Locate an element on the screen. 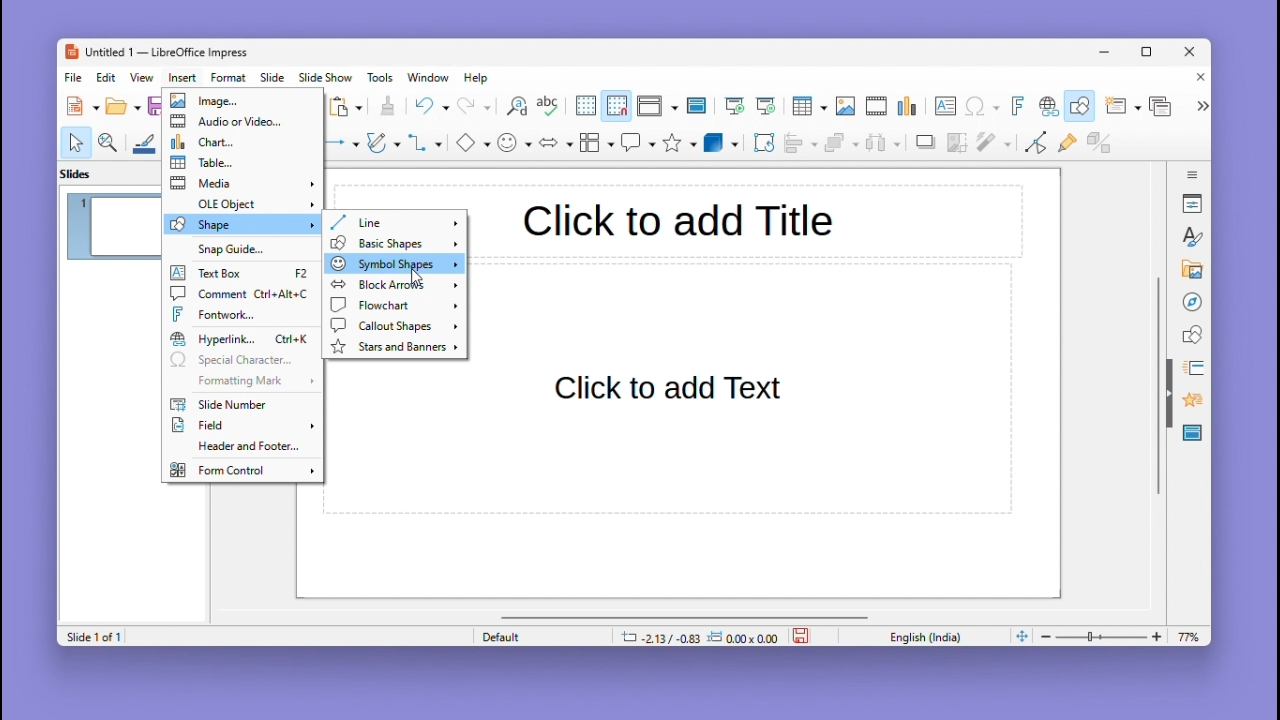  Video is located at coordinates (876, 107).